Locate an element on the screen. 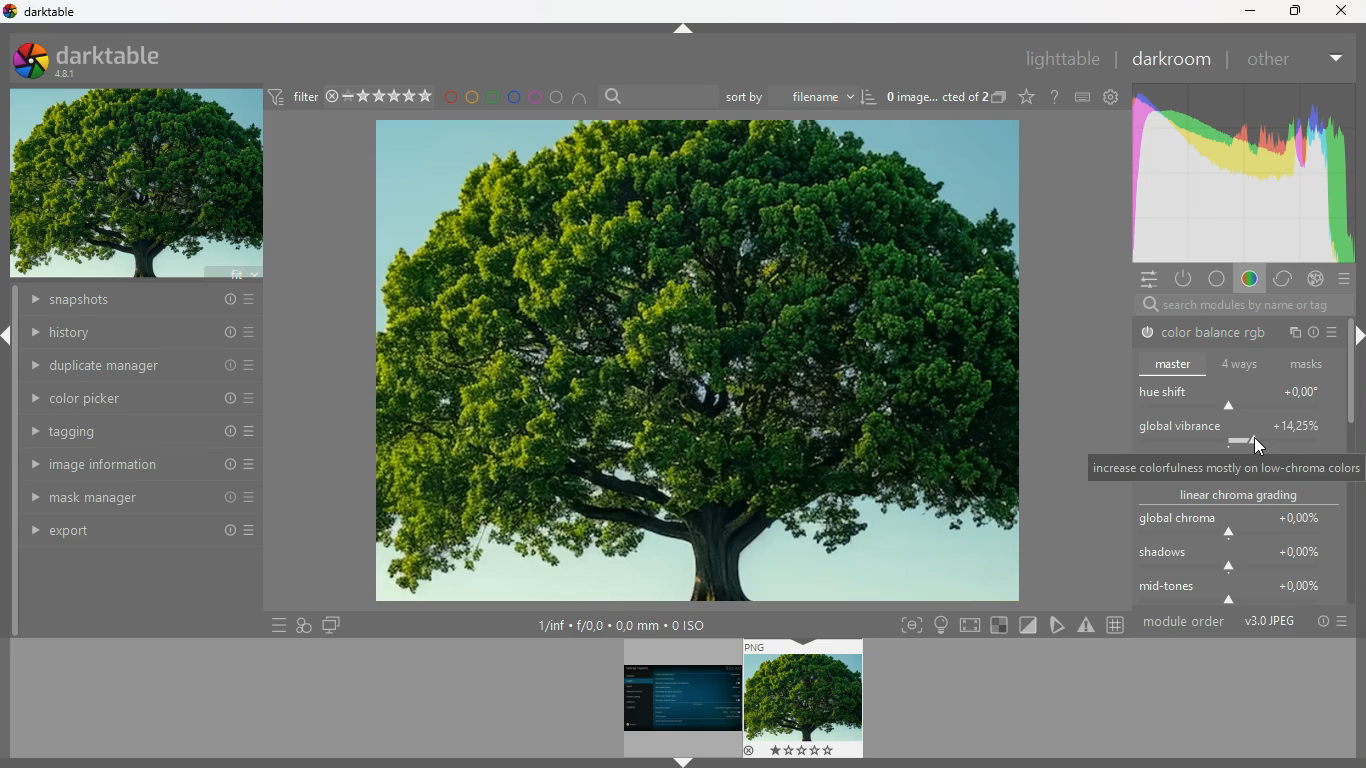 The width and height of the screenshot is (1366, 768). color picker is located at coordinates (143, 398).